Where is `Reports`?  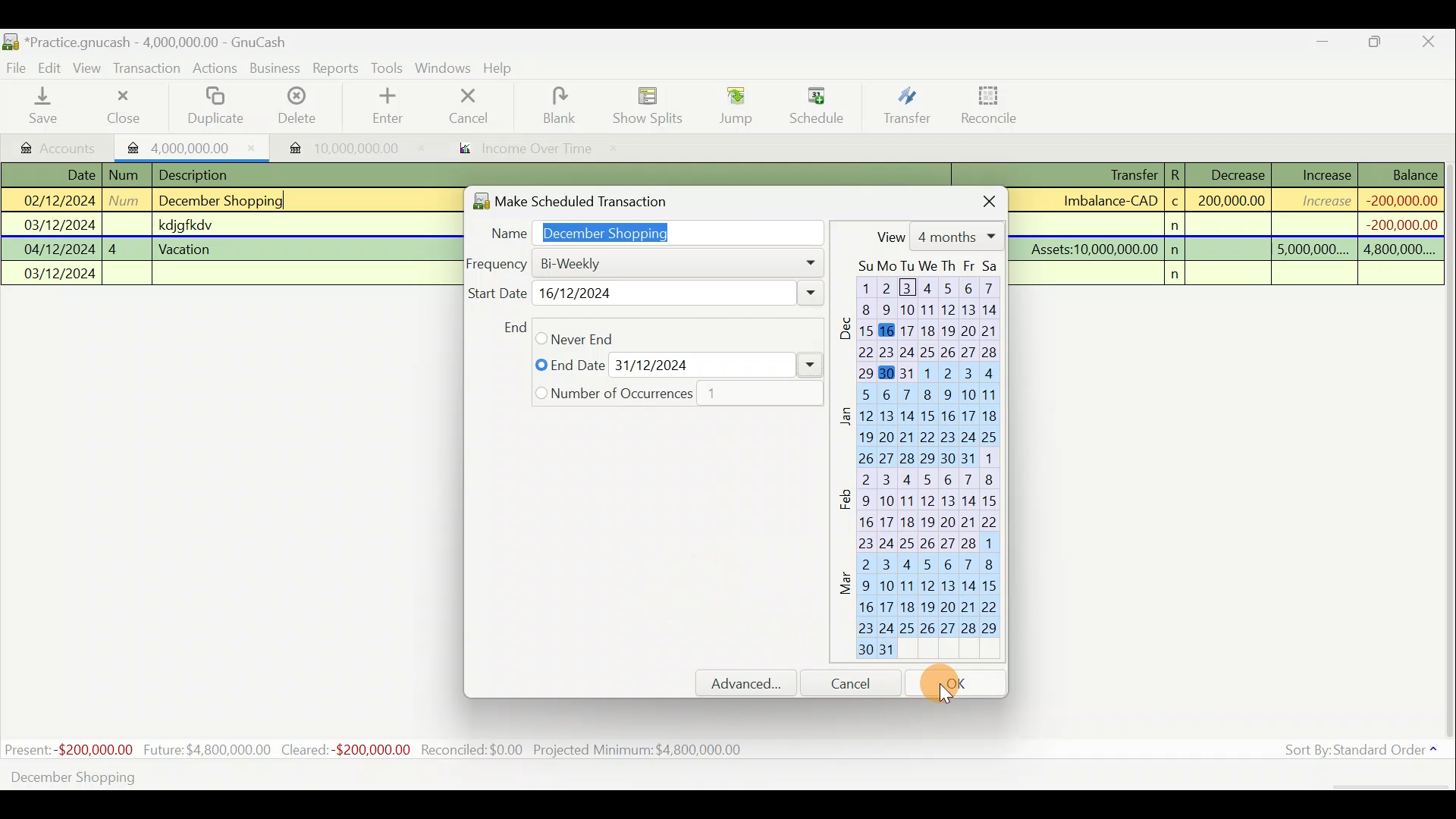 Reports is located at coordinates (336, 68).